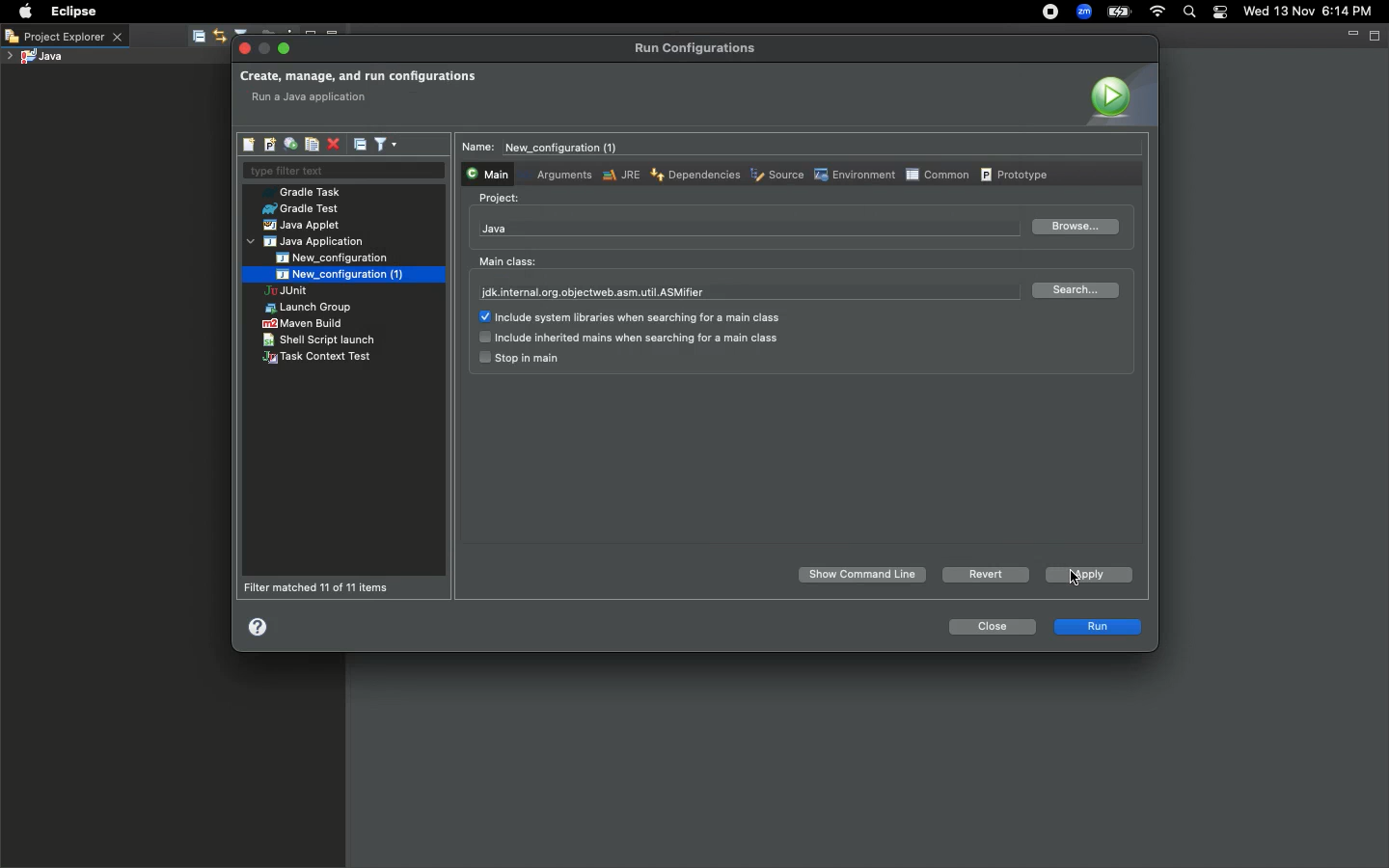  I want to click on Revert, so click(983, 574).